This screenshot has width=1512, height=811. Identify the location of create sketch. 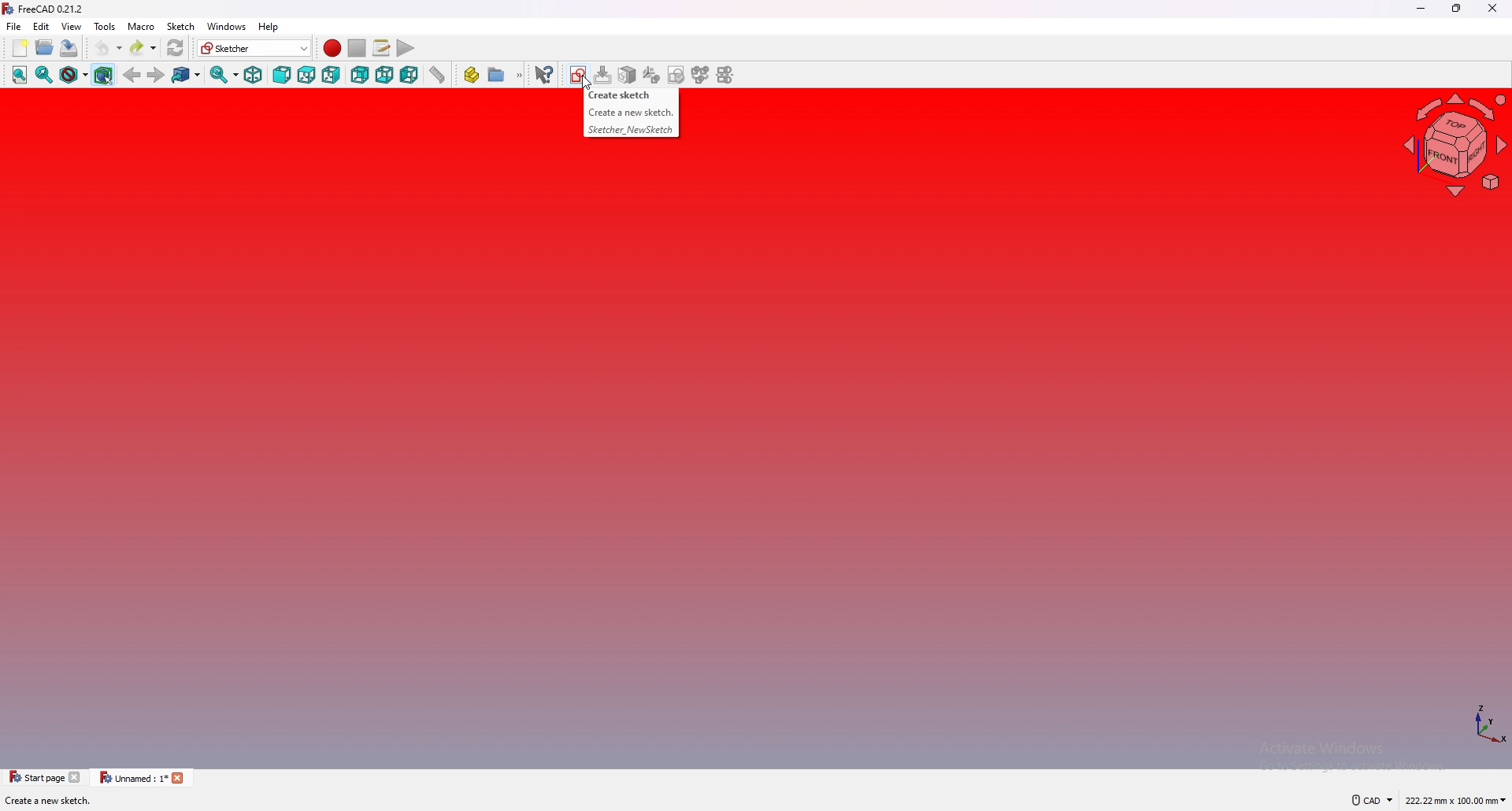
(618, 94).